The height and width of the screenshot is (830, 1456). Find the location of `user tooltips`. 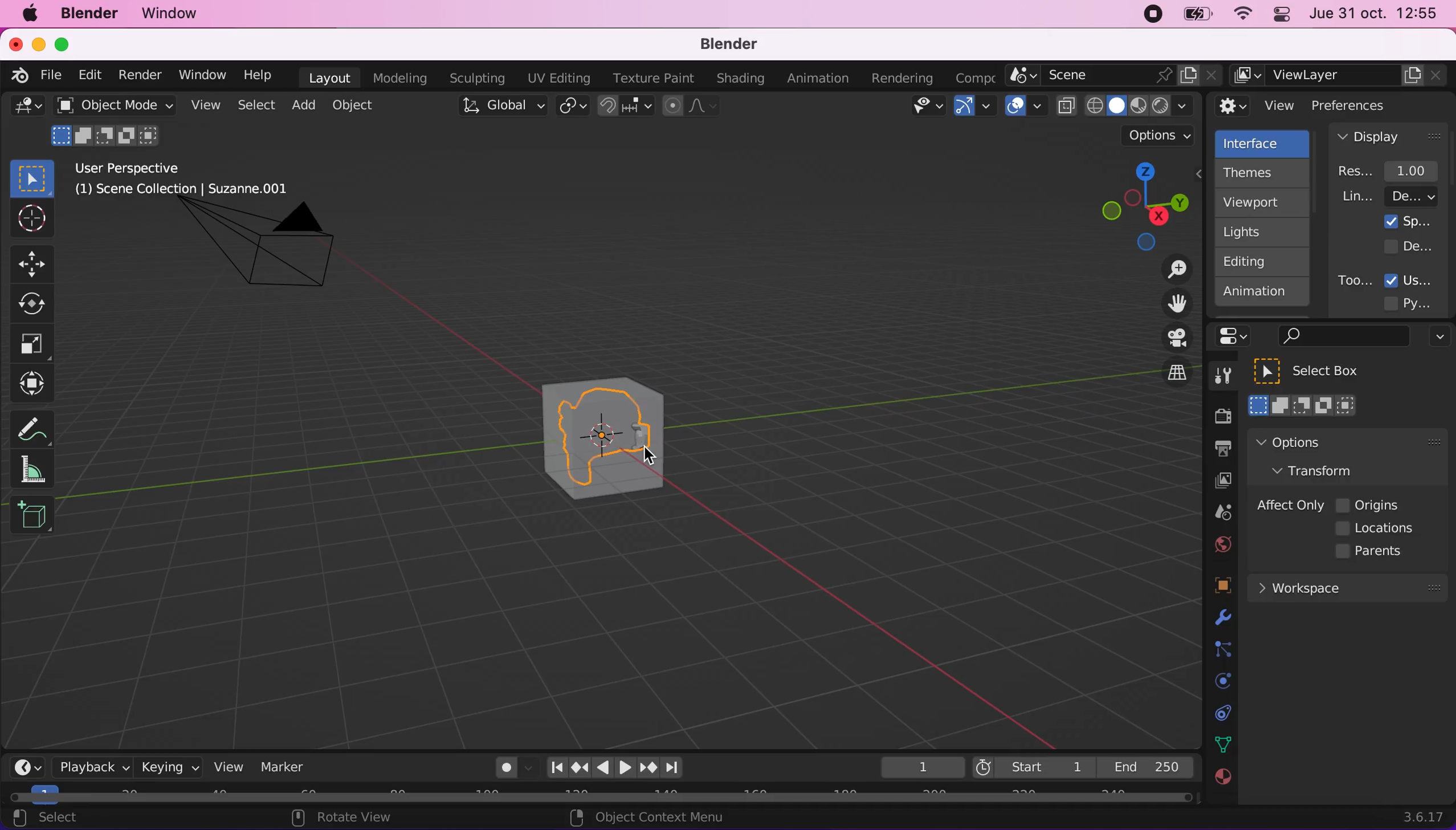

user tooltips is located at coordinates (1418, 279).